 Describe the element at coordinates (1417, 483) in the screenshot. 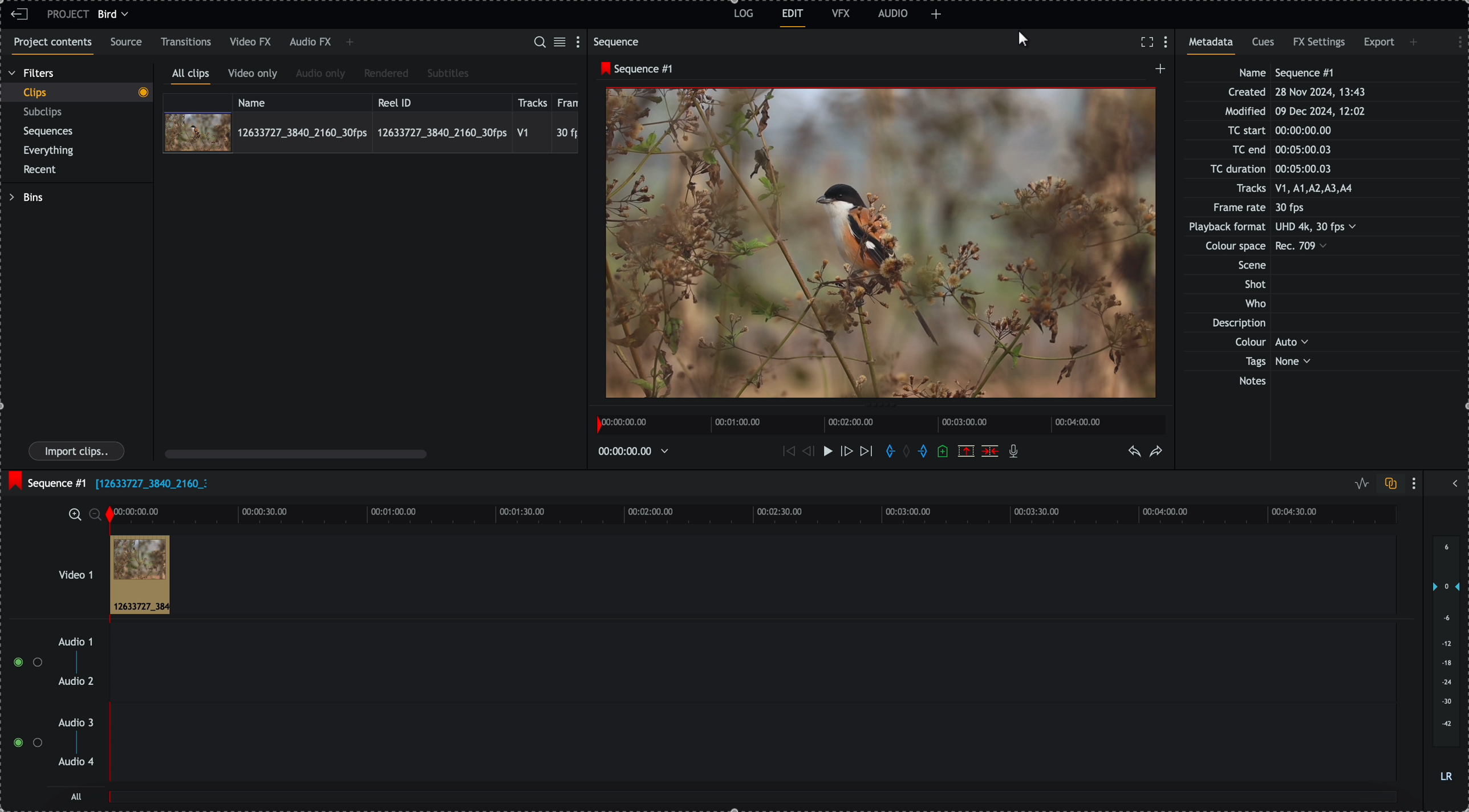

I see `show settings menu` at that location.